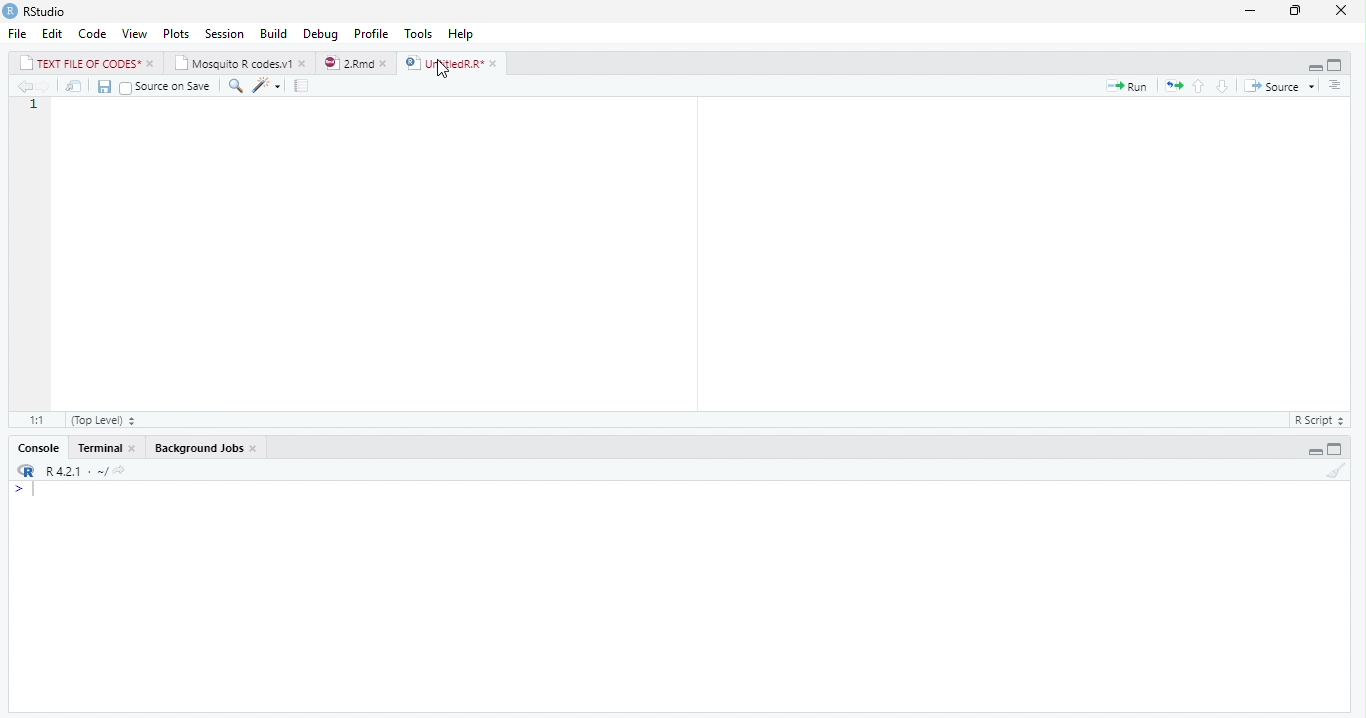 This screenshot has height=718, width=1366. Describe the element at coordinates (1342, 10) in the screenshot. I see `Close` at that location.